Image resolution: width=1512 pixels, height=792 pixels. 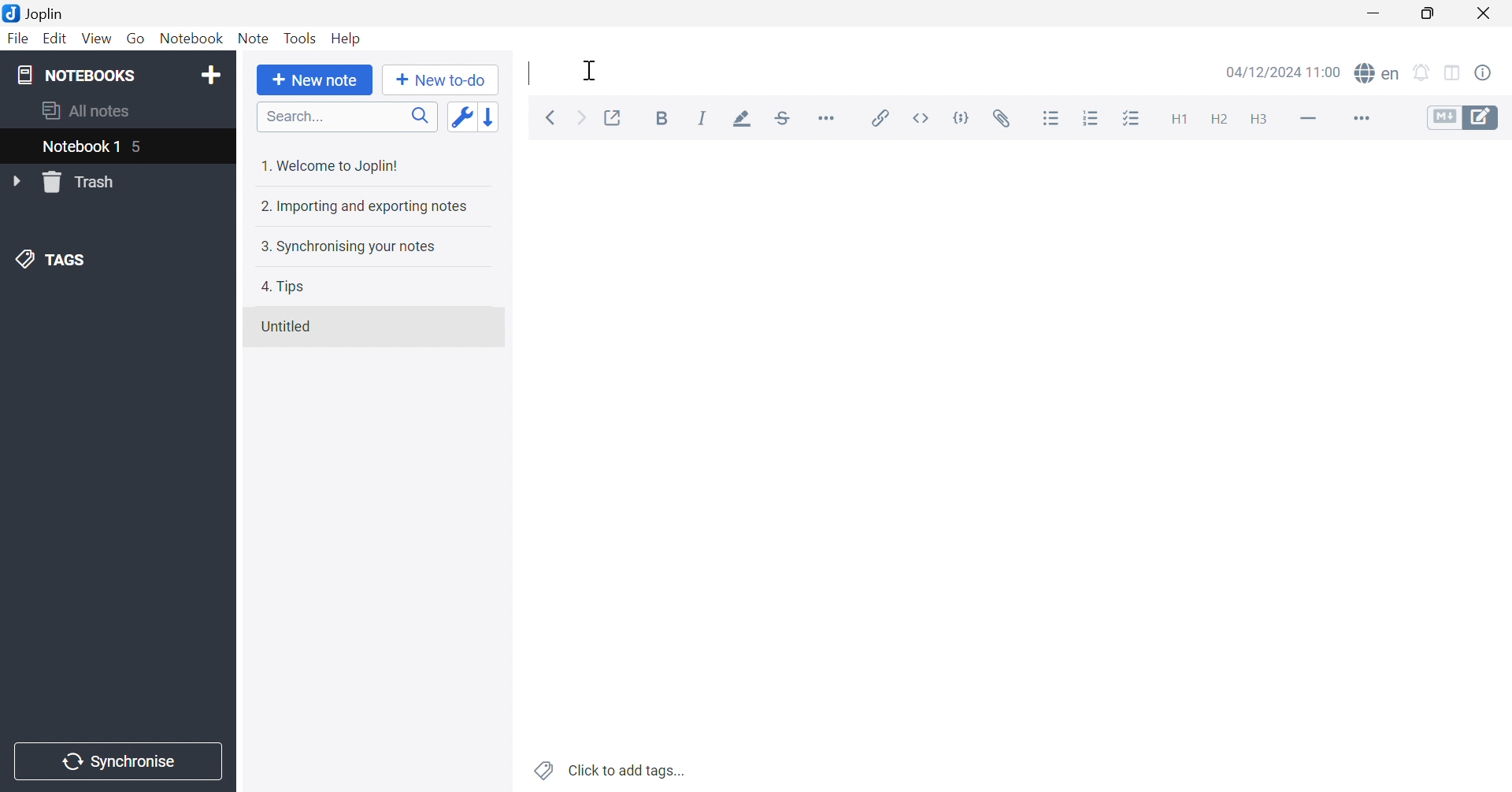 What do you see at coordinates (1378, 75) in the screenshot?
I see `Spell check` at bounding box center [1378, 75].